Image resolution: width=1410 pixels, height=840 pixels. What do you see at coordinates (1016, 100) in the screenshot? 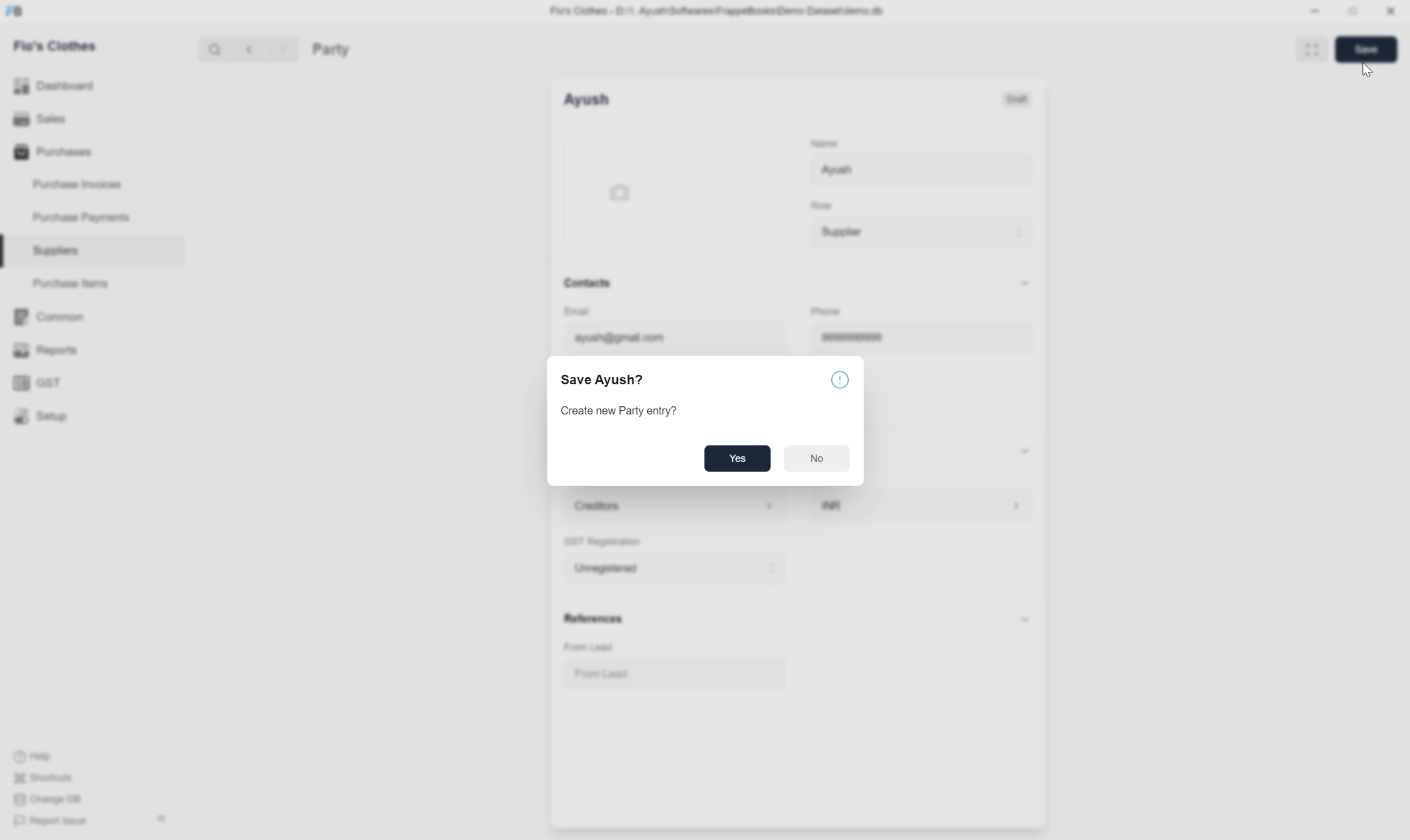
I see `Draft` at bounding box center [1016, 100].